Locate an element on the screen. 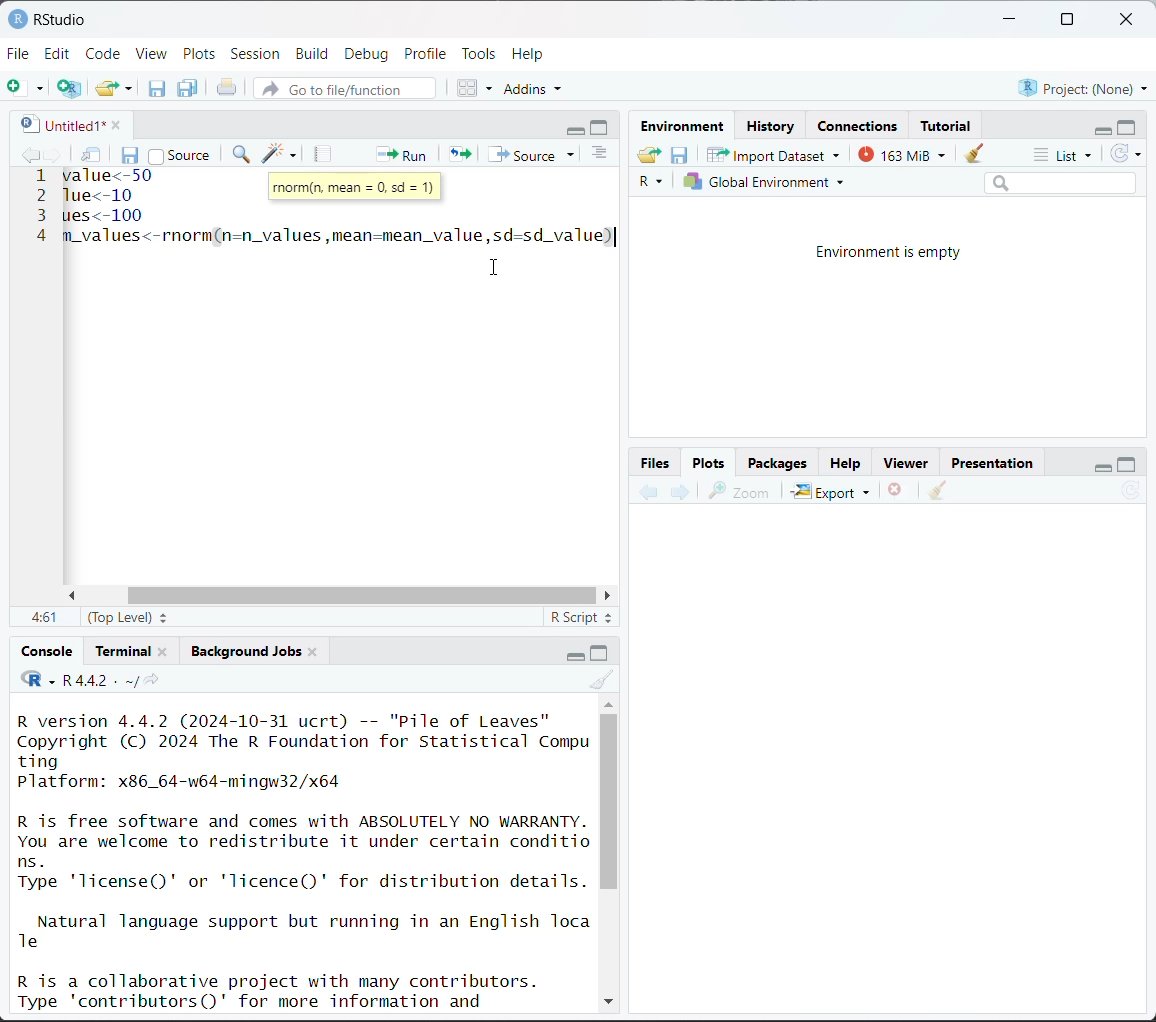  Plots is located at coordinates (200, 53).